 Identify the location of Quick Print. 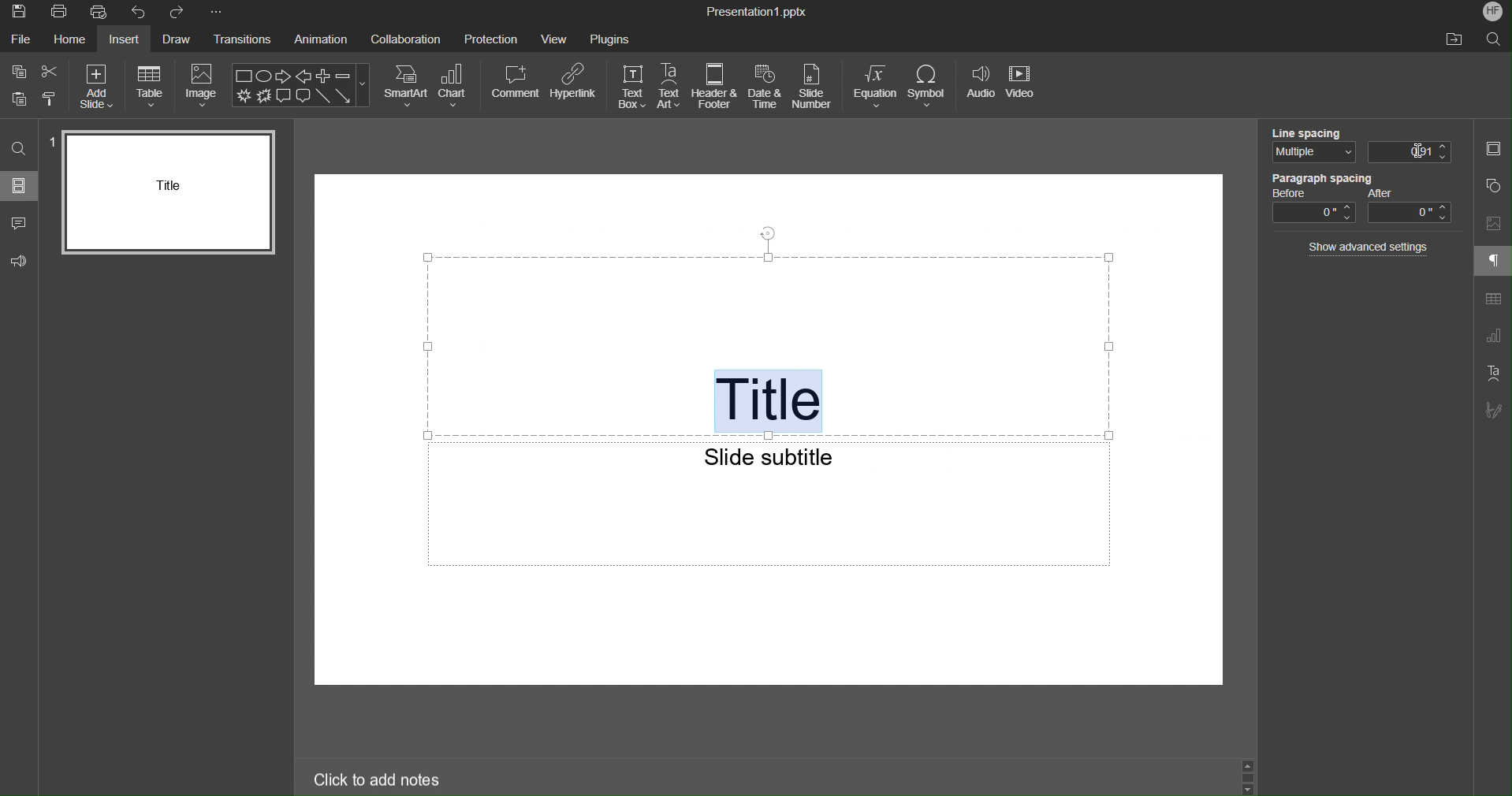
(102, 13).